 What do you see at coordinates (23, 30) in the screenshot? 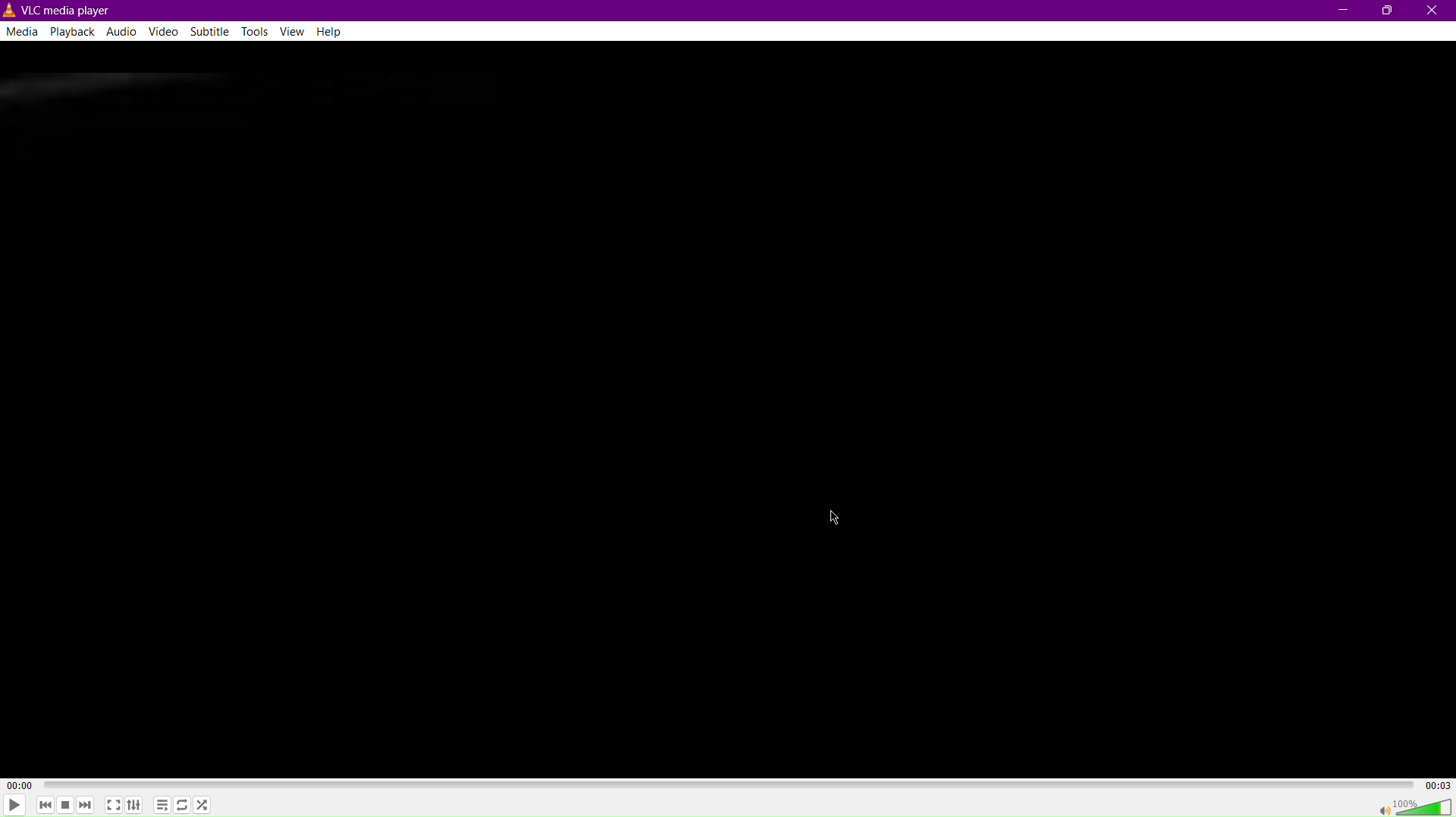
I see `Media ` at bounding box center [23, 30].